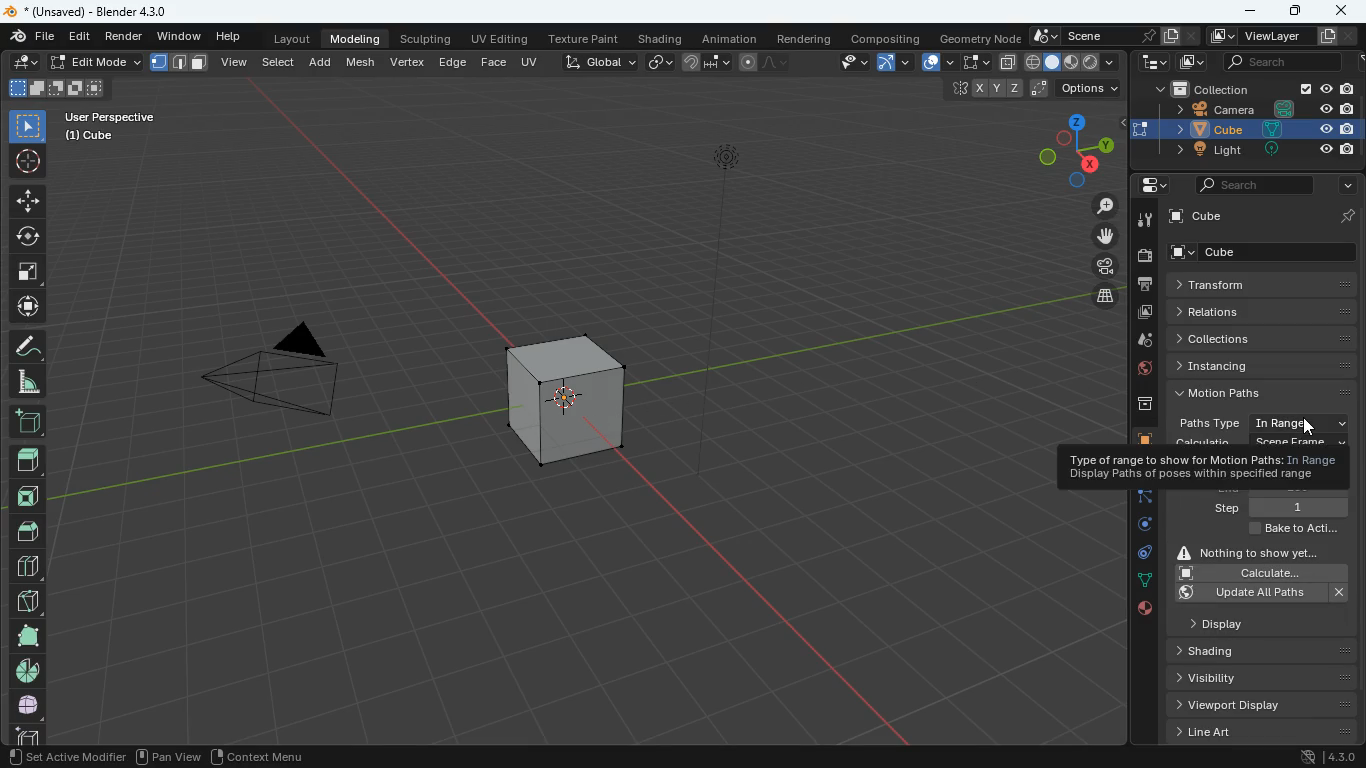 This screenshot has height=768, width=1366. Describe the element at coordinates (30, 531) in the screenshot. I see `roof` at that location.